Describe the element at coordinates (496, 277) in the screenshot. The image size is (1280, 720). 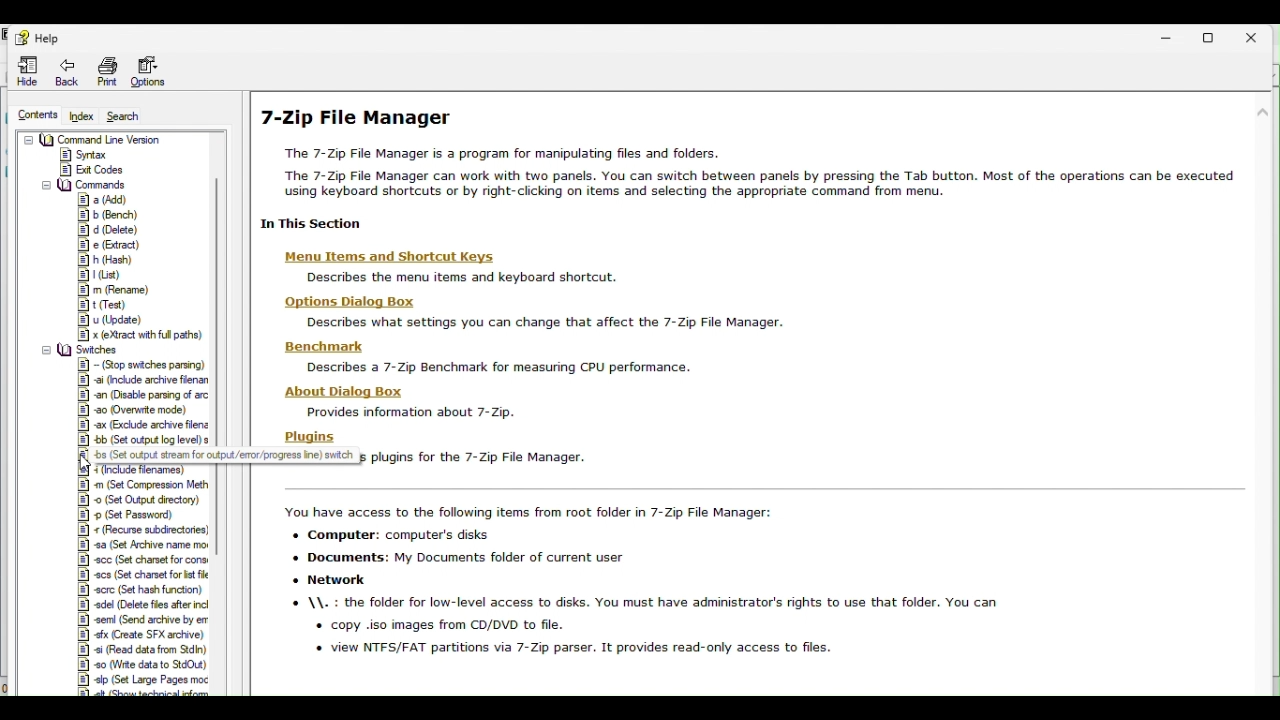
I see `description text` at that location.